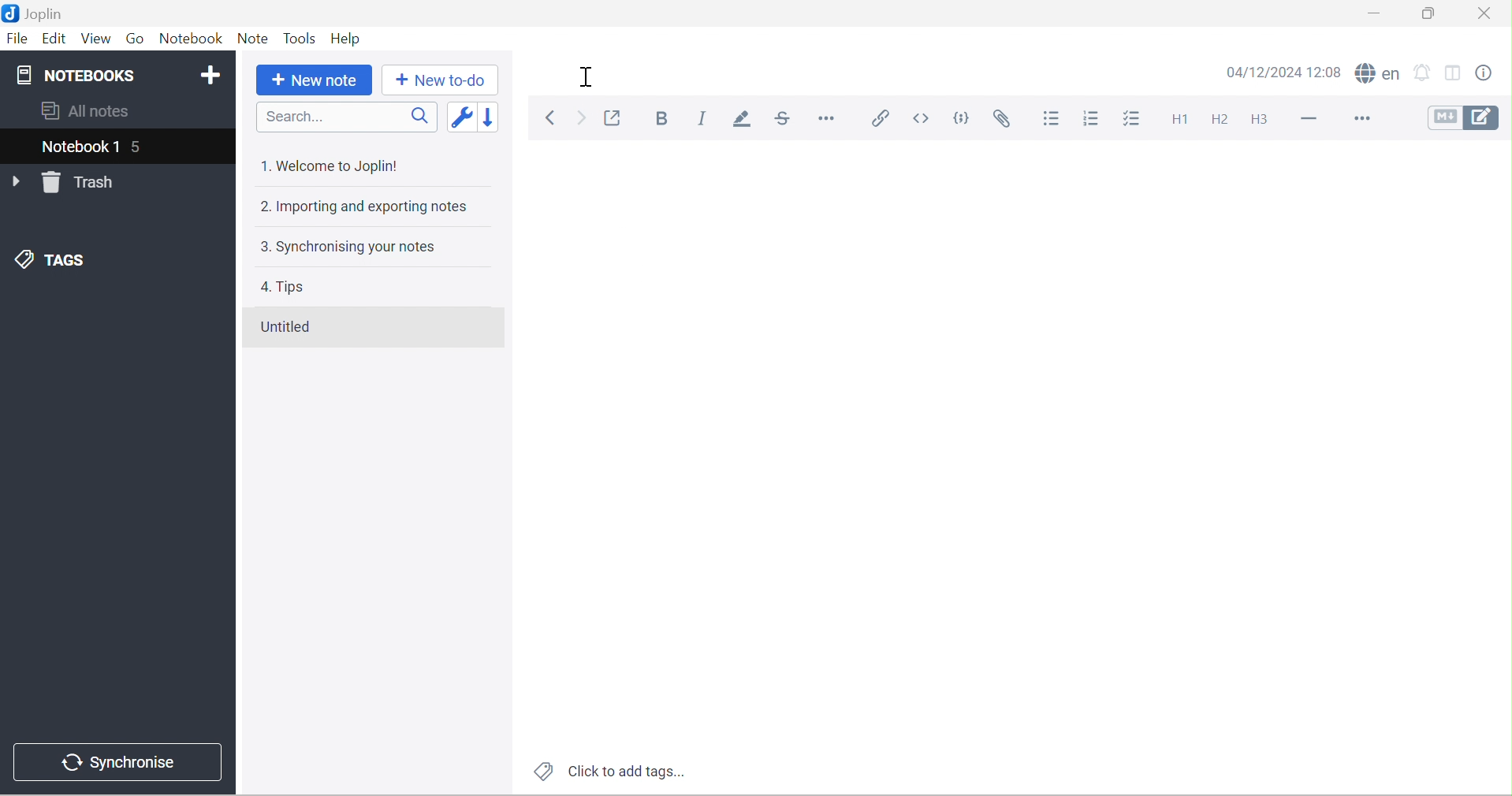 The width and height of the screenshot is (1512, 796). I want to click on Inline code, so click(925, 118).